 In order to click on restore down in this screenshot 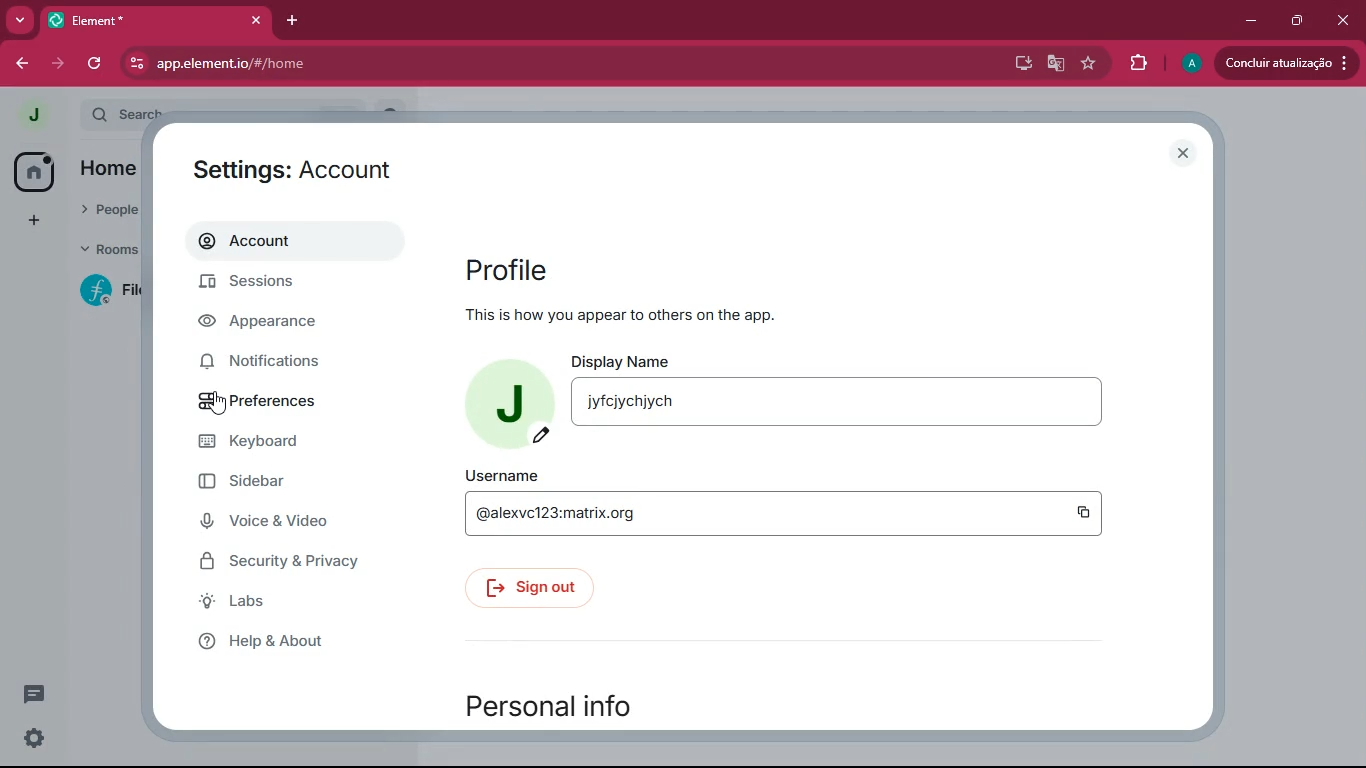, I will do `click(1296, 22)`.